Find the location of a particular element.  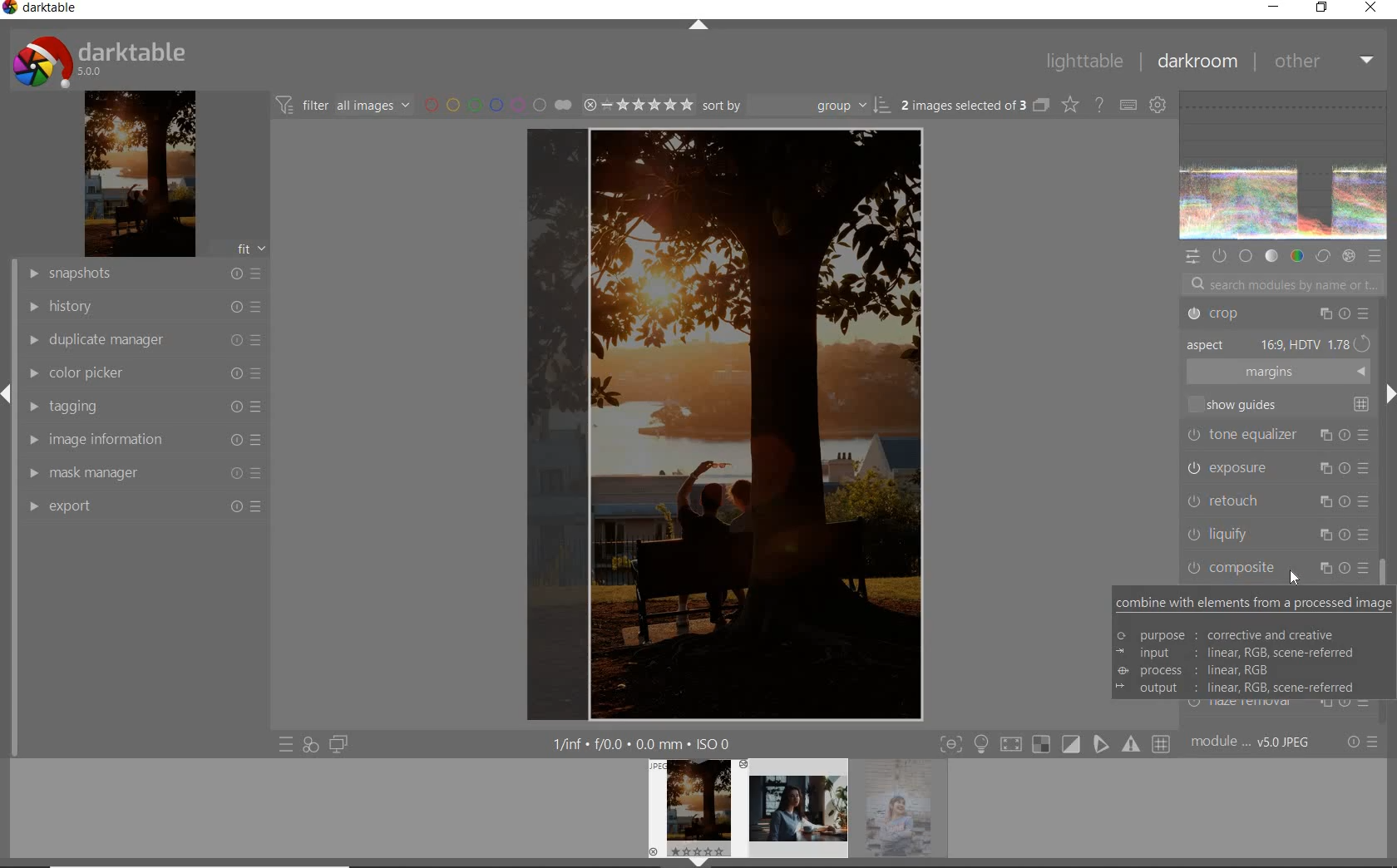

quick access preset is located at coordinates (286, 746).